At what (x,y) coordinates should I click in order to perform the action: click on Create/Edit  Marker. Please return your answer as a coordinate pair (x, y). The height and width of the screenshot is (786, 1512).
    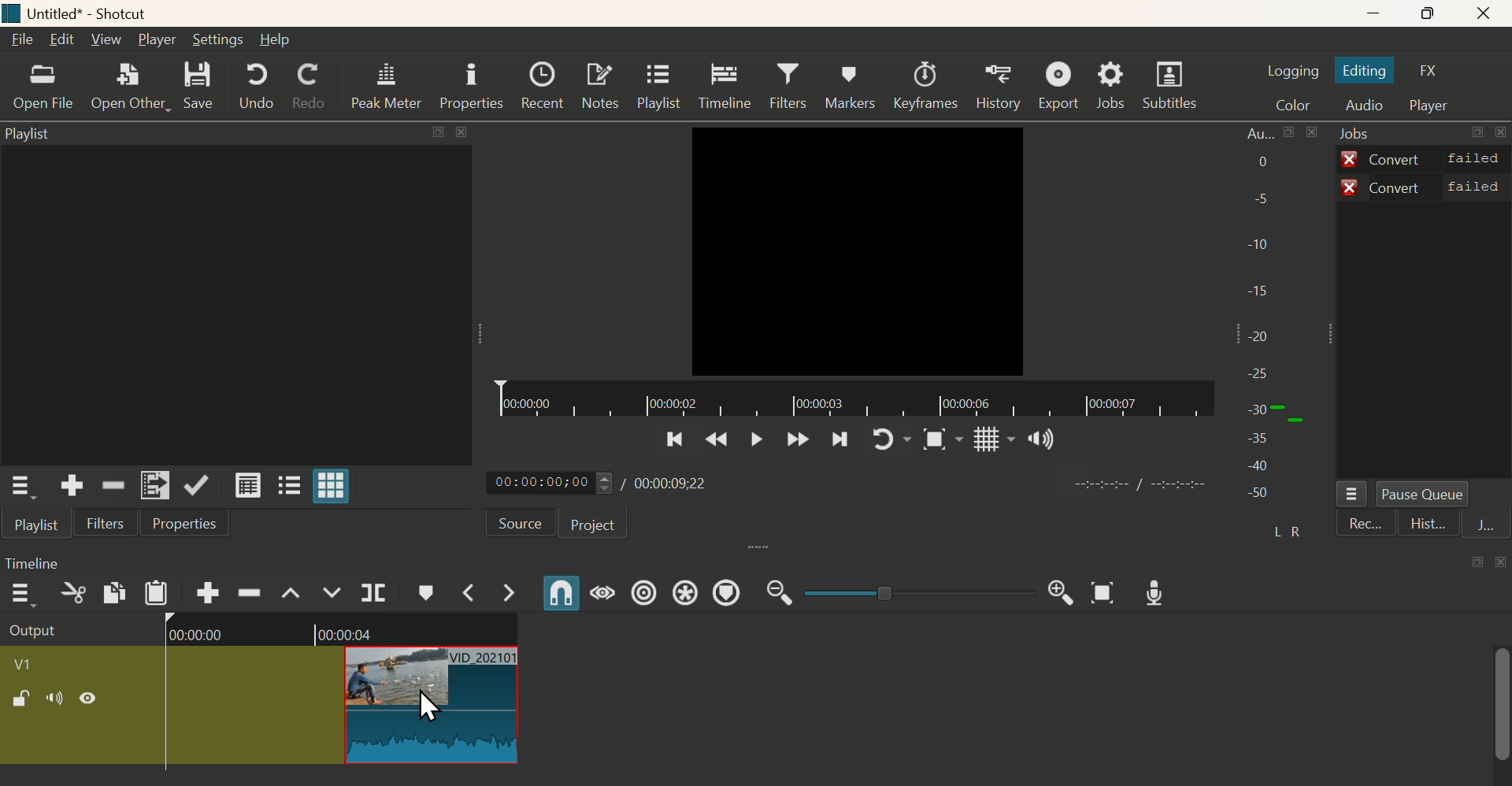
    Looking at the image, I should click on (427, 595).